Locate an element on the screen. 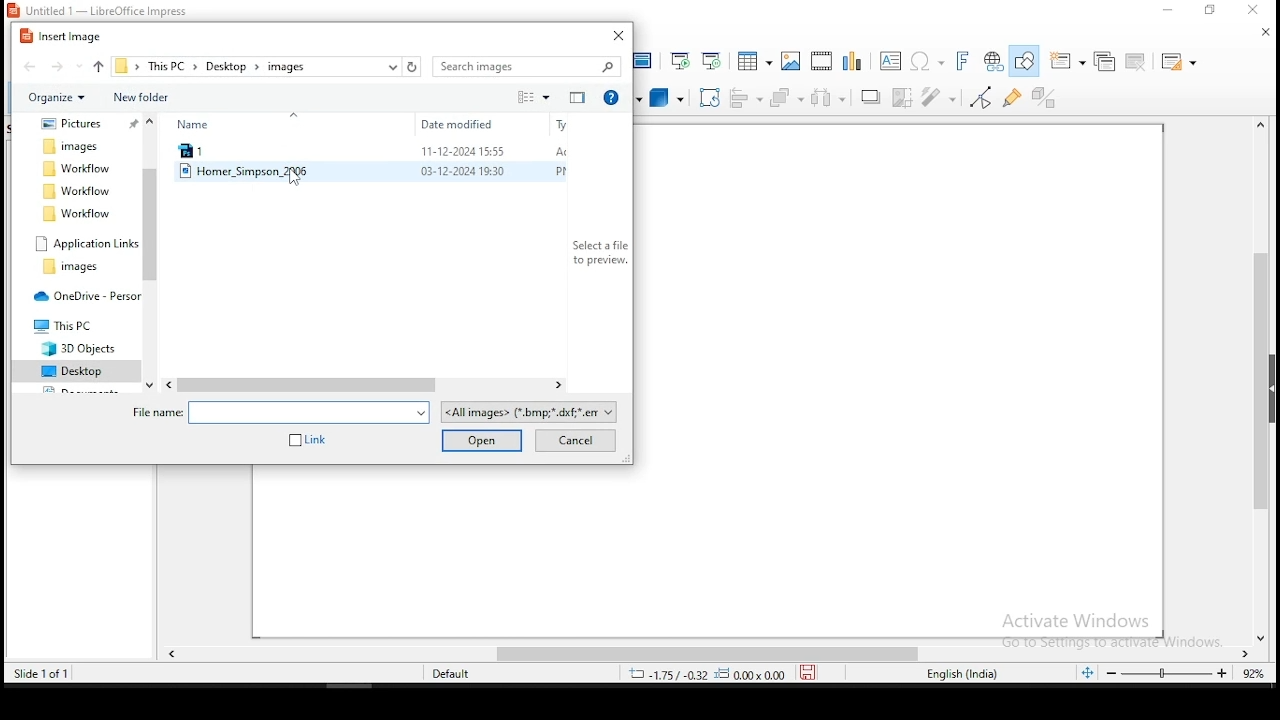 This screenshot has width=1280, height=720. system folder is located at coordinates (79, 370).